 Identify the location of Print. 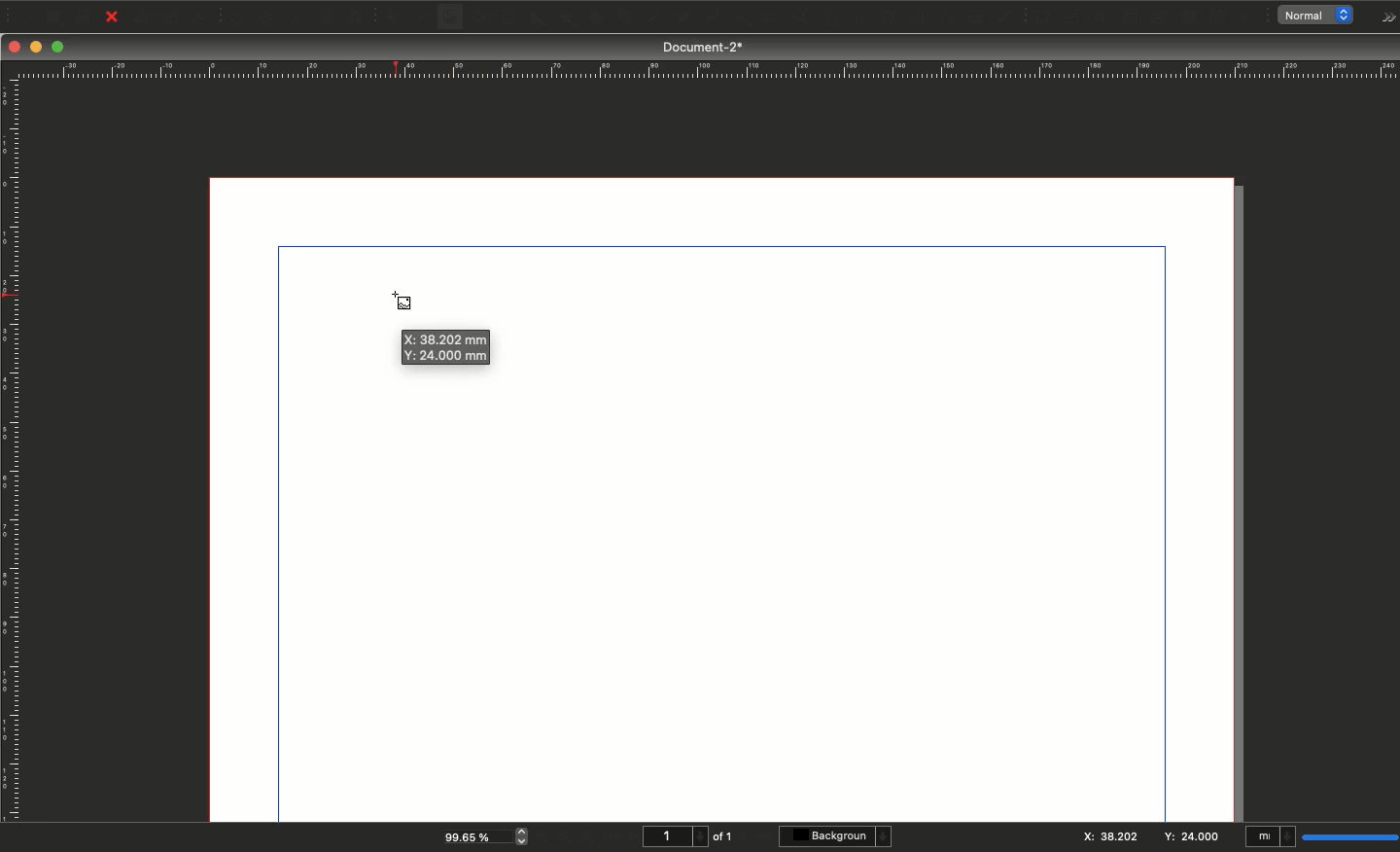
(142, 18).